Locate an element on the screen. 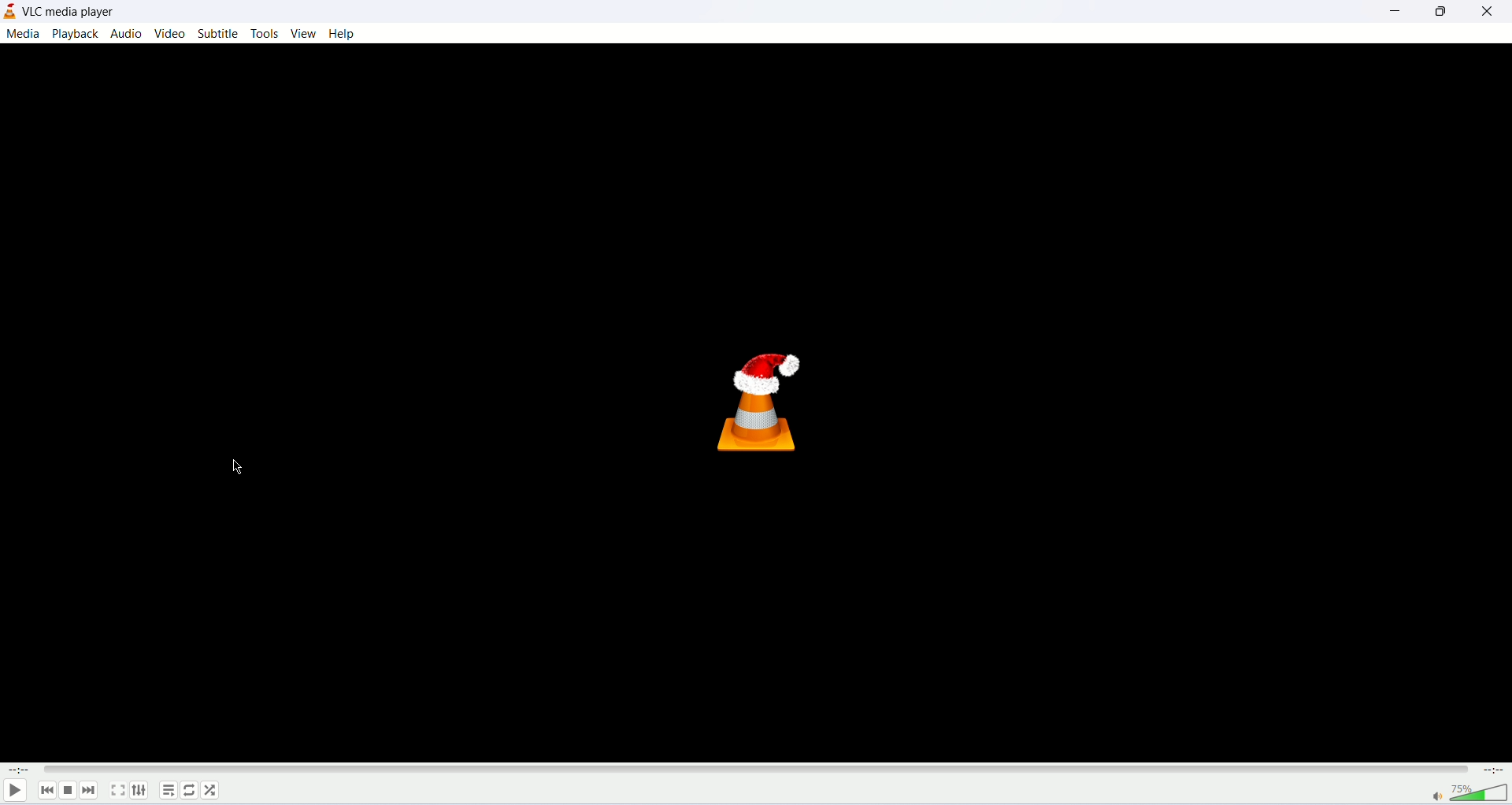  subtitle is located at coordinates (217, 33).